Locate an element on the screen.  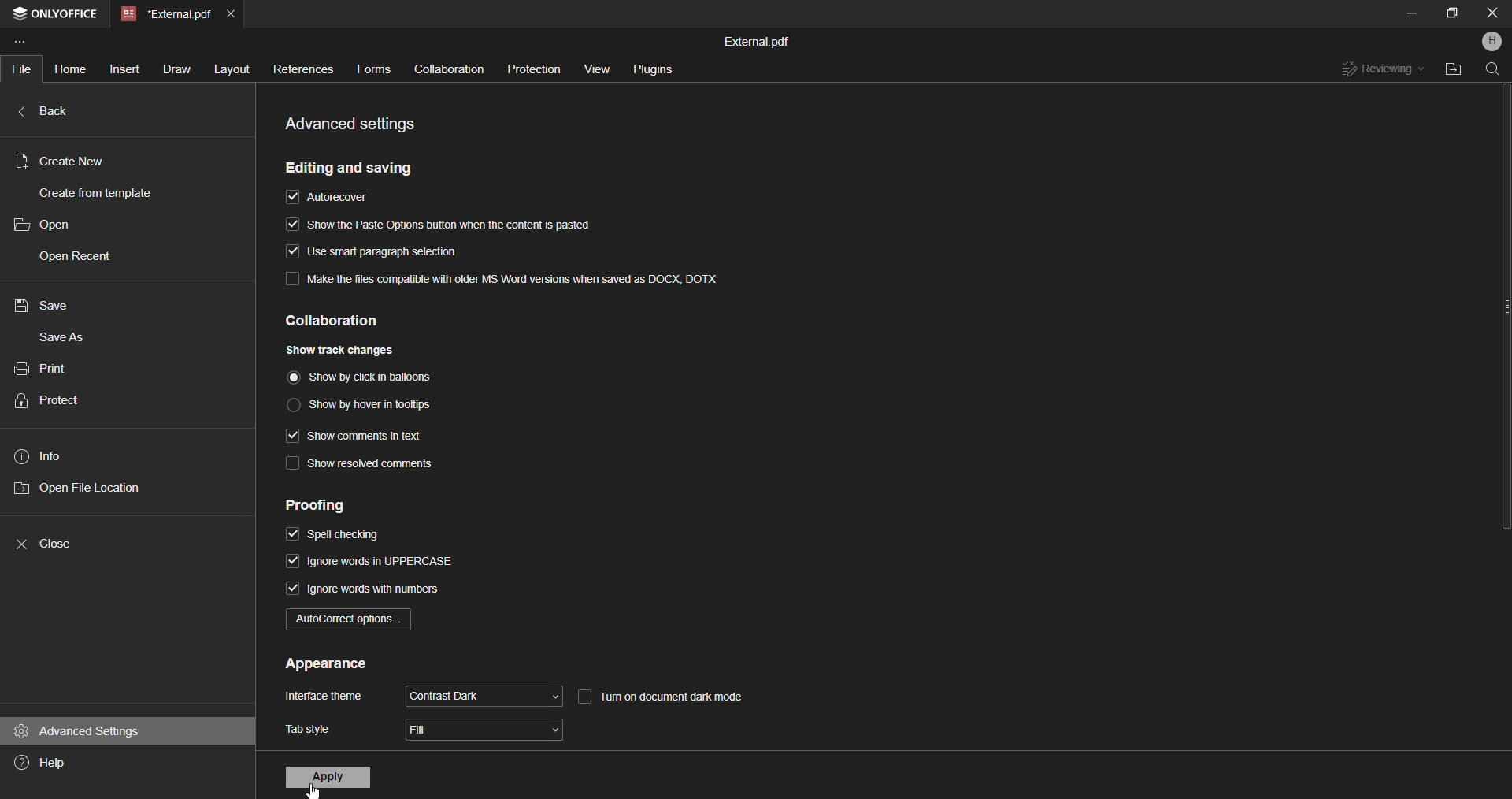
show the paste options is located at coordinates (437, 226).